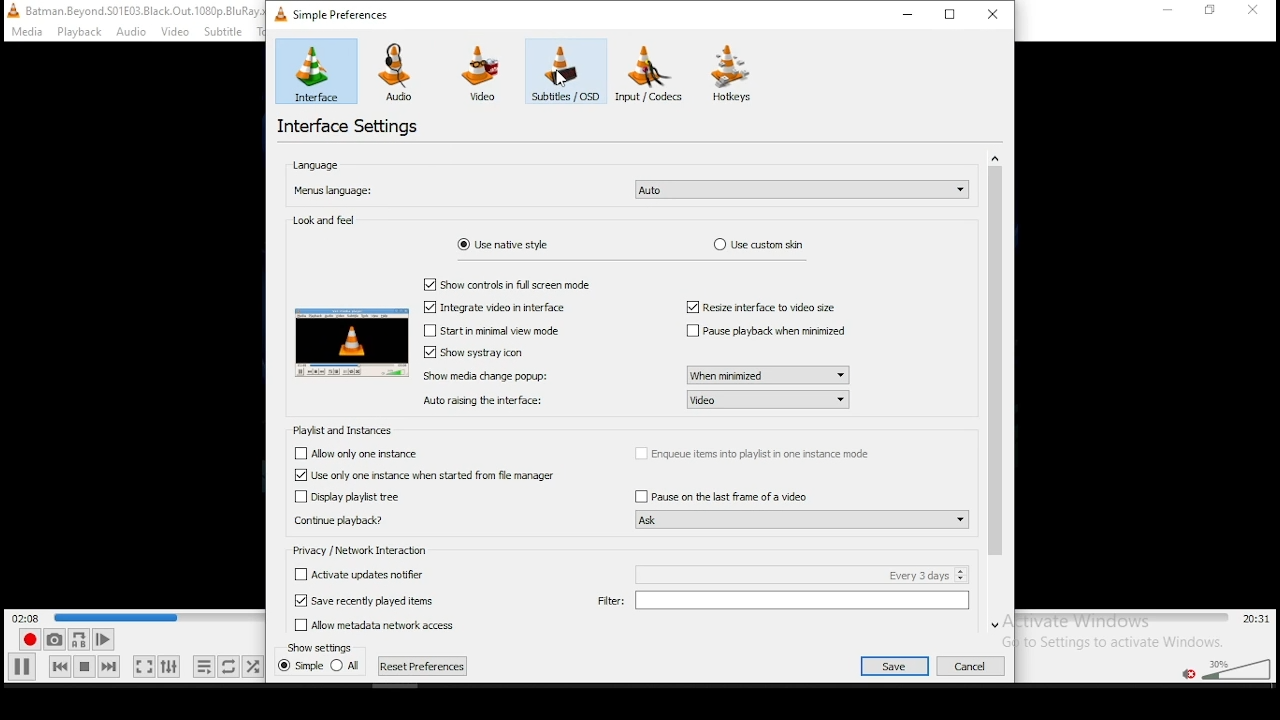 The height and width of the screenshot is (720, 1280). I want to click on , so click(766, 308).